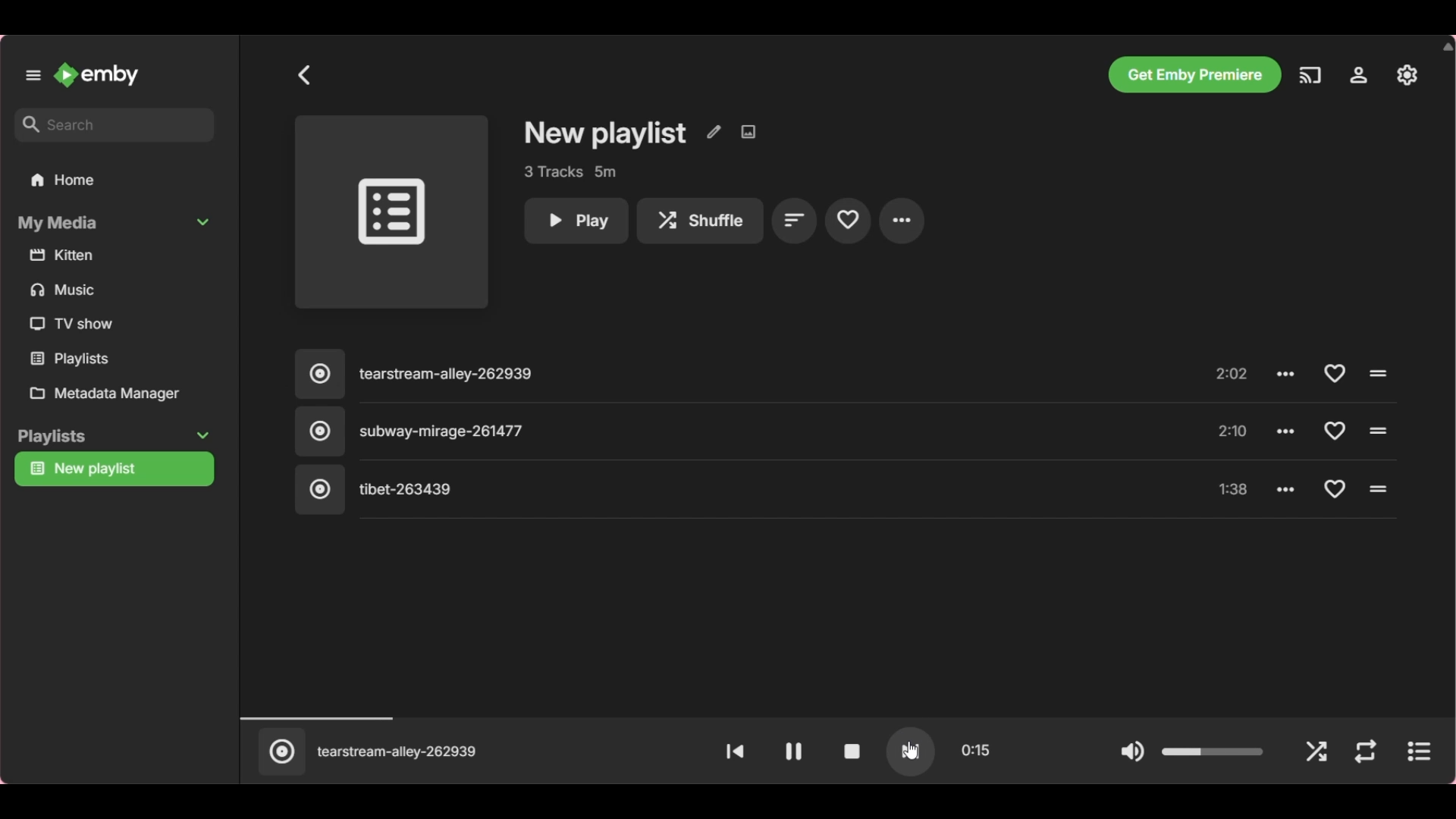 The width and height of the screenshot is (1456, 819). What do you see at coordinates (76, 324) in the screenshot?
I see `tv show` at bounding box center [76, 324].